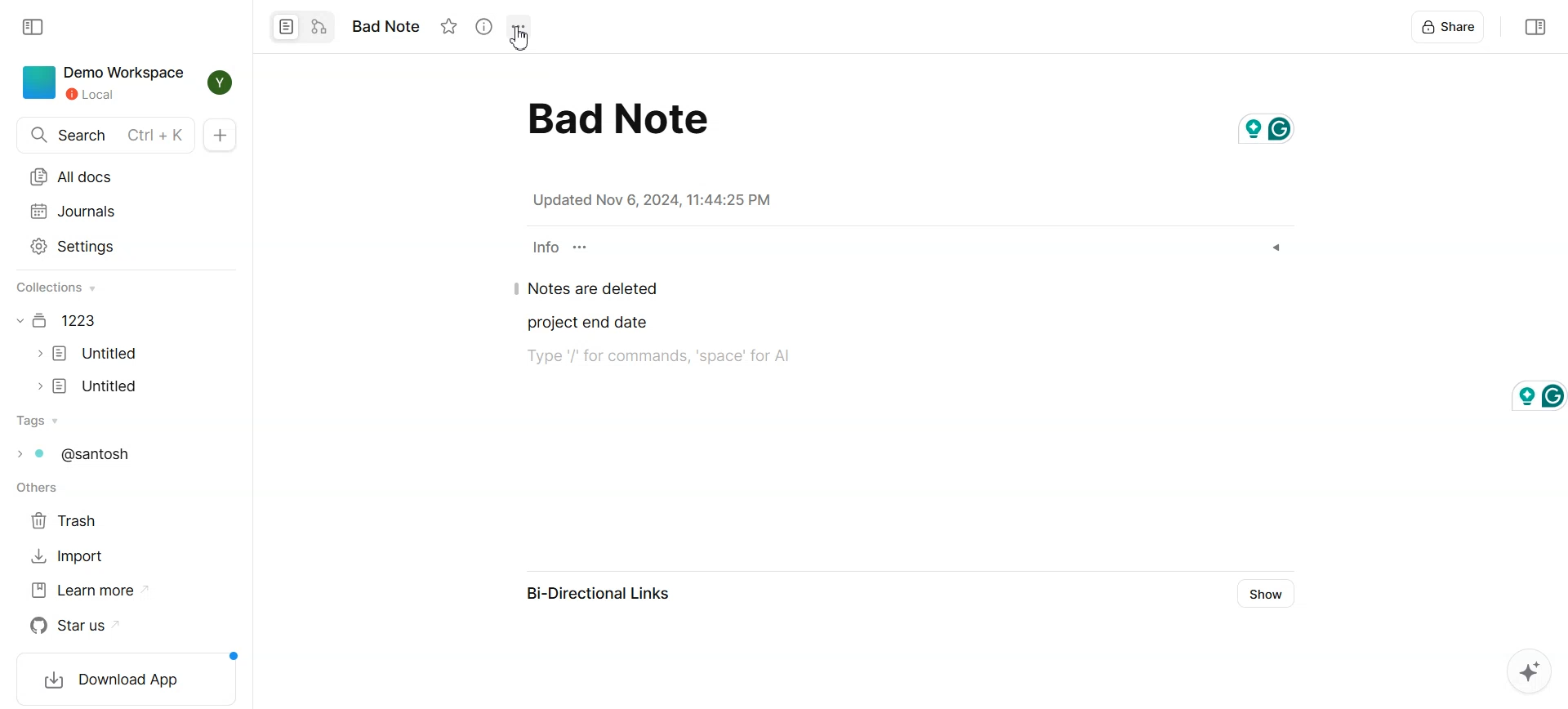 Image resolution: width=1568 pixels, height=709 pixels. What do you see at coordinates (670, 358) in the screenshot?
I see `text` at bounding box center [670, 358].